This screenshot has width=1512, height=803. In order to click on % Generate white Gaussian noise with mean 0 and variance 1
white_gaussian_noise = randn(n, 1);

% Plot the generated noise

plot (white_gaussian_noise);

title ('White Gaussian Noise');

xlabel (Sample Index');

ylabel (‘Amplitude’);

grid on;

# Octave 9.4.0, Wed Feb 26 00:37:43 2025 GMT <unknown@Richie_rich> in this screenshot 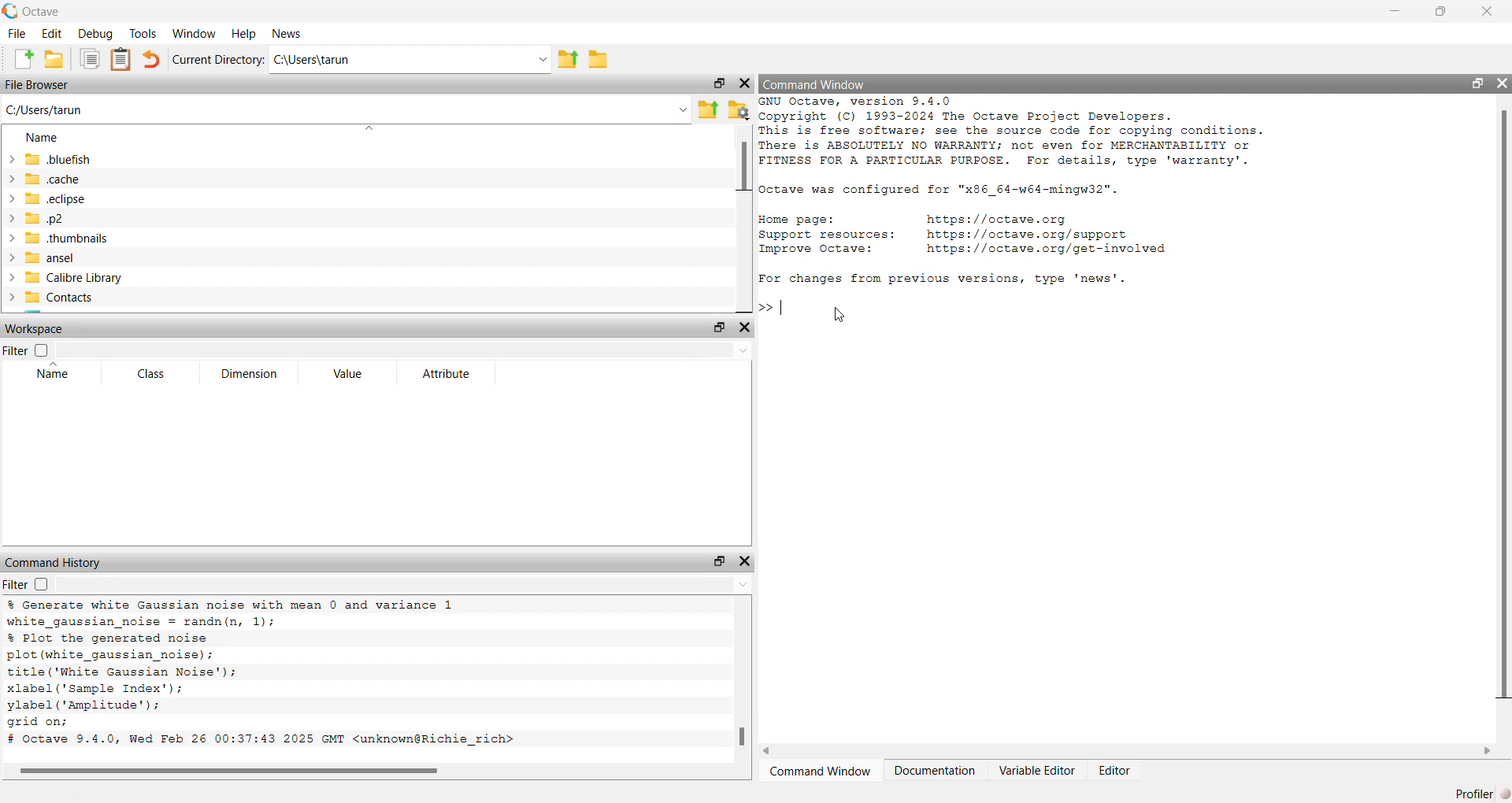, I will do `click(277, 673)`.